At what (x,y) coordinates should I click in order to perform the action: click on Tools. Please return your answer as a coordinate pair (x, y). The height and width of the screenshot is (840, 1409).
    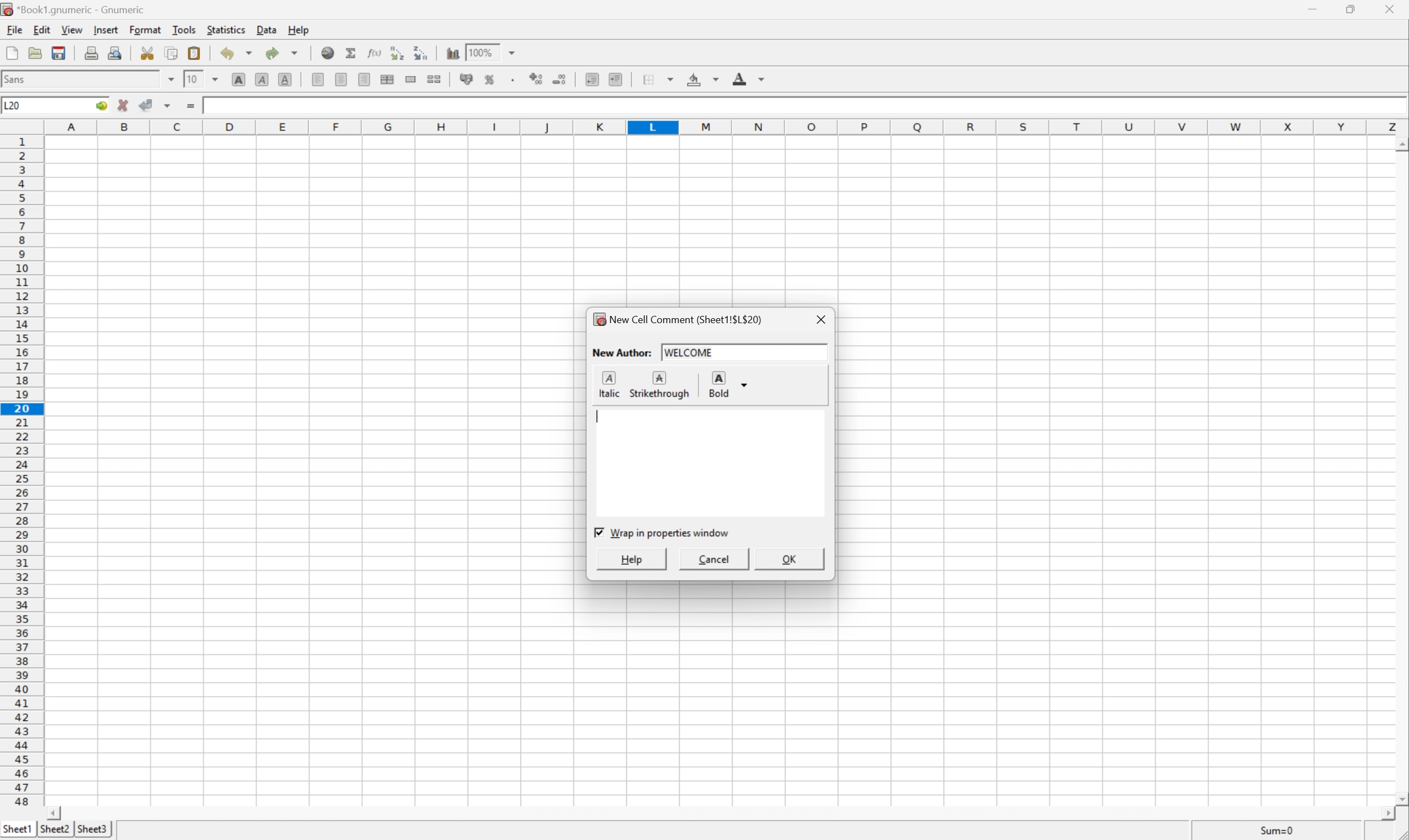
    Looking at the image, I should click on (183, 28).